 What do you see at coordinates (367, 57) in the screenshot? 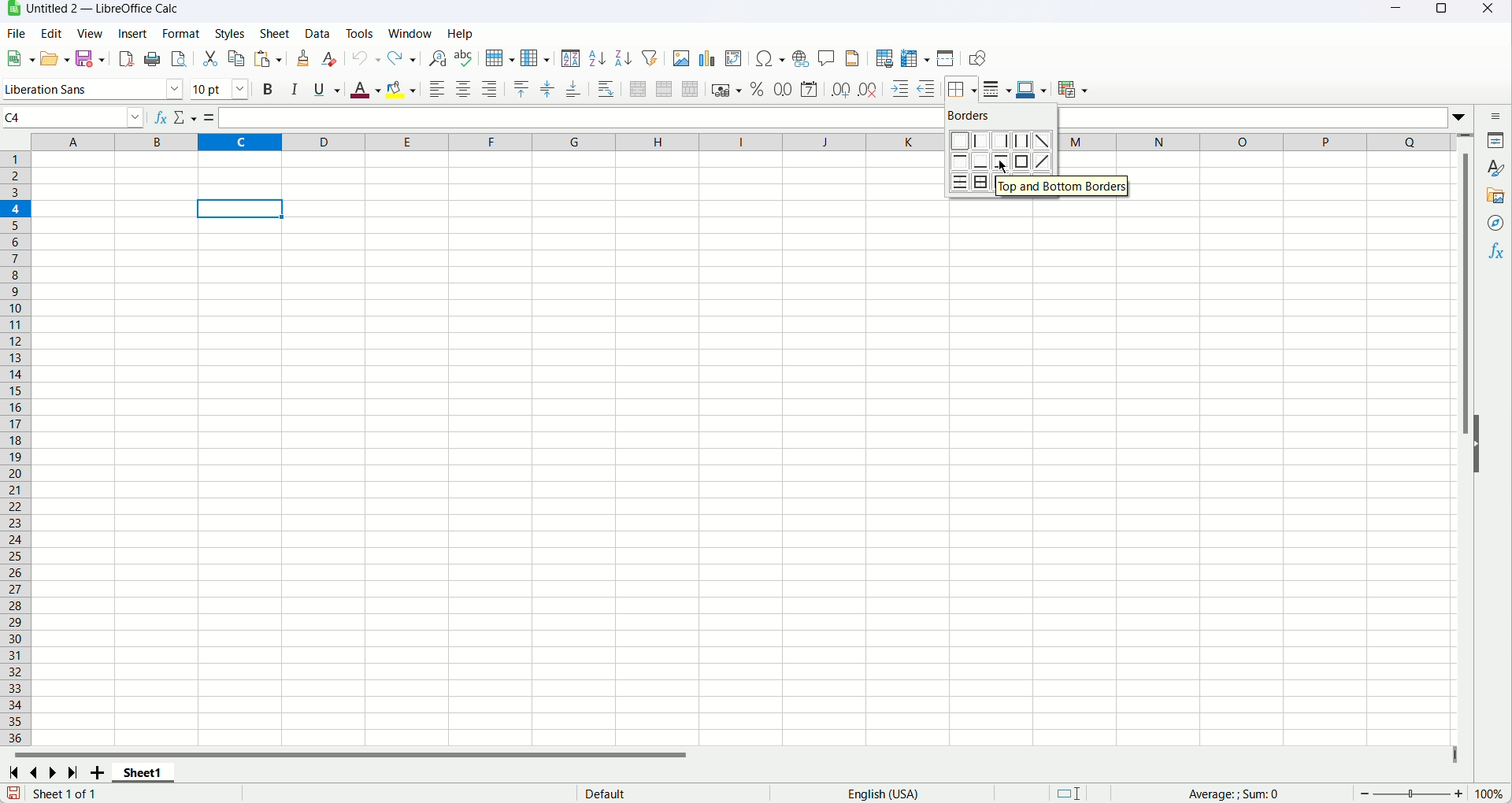
I see `Undo` at bounding box center [367, 57].